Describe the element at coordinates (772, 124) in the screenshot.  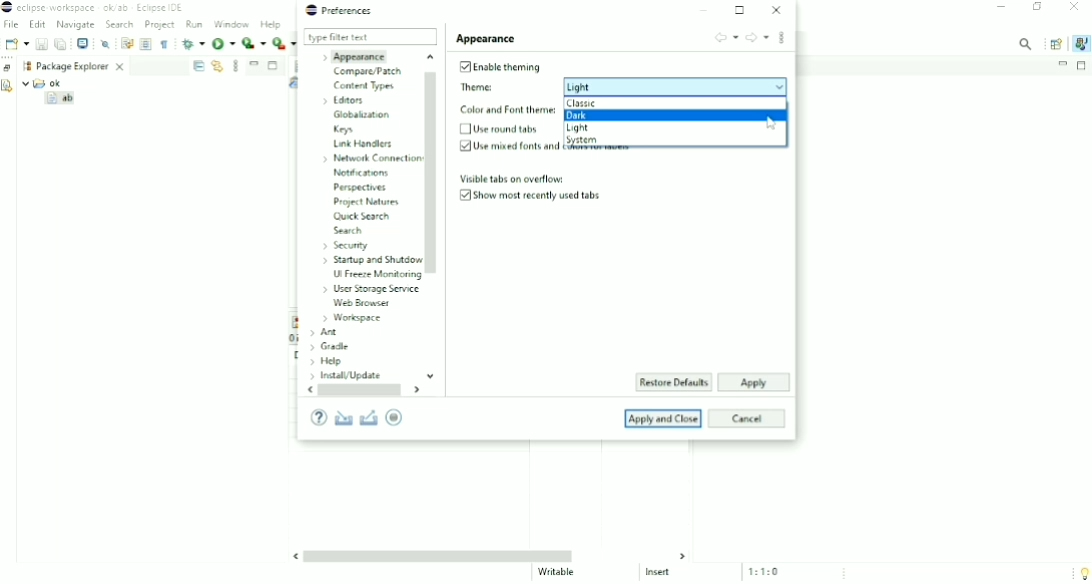
I see `Cursor` at that location.